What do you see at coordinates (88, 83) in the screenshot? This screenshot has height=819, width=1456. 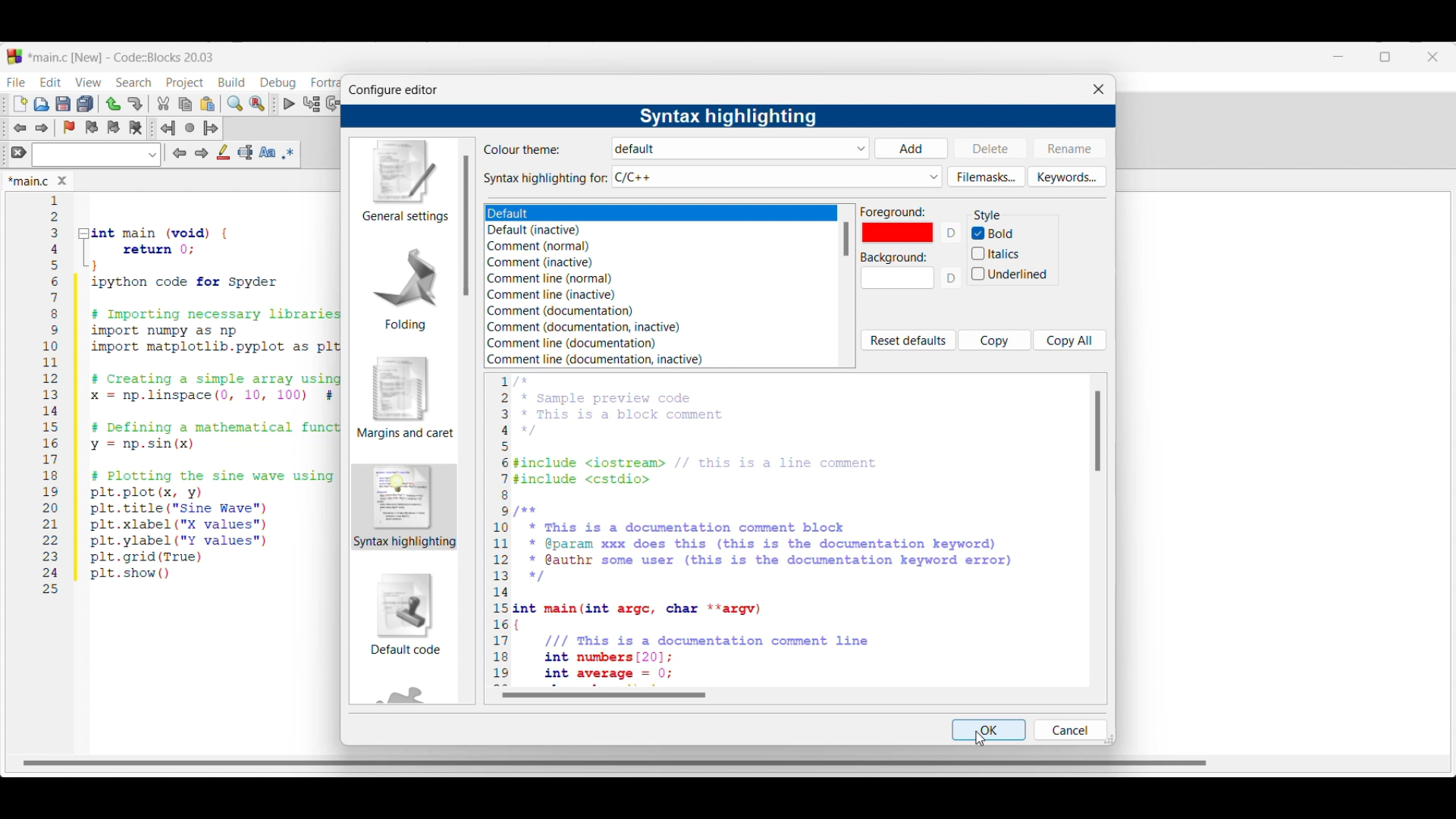 I see `View menu` at bounding box center [88, 83].